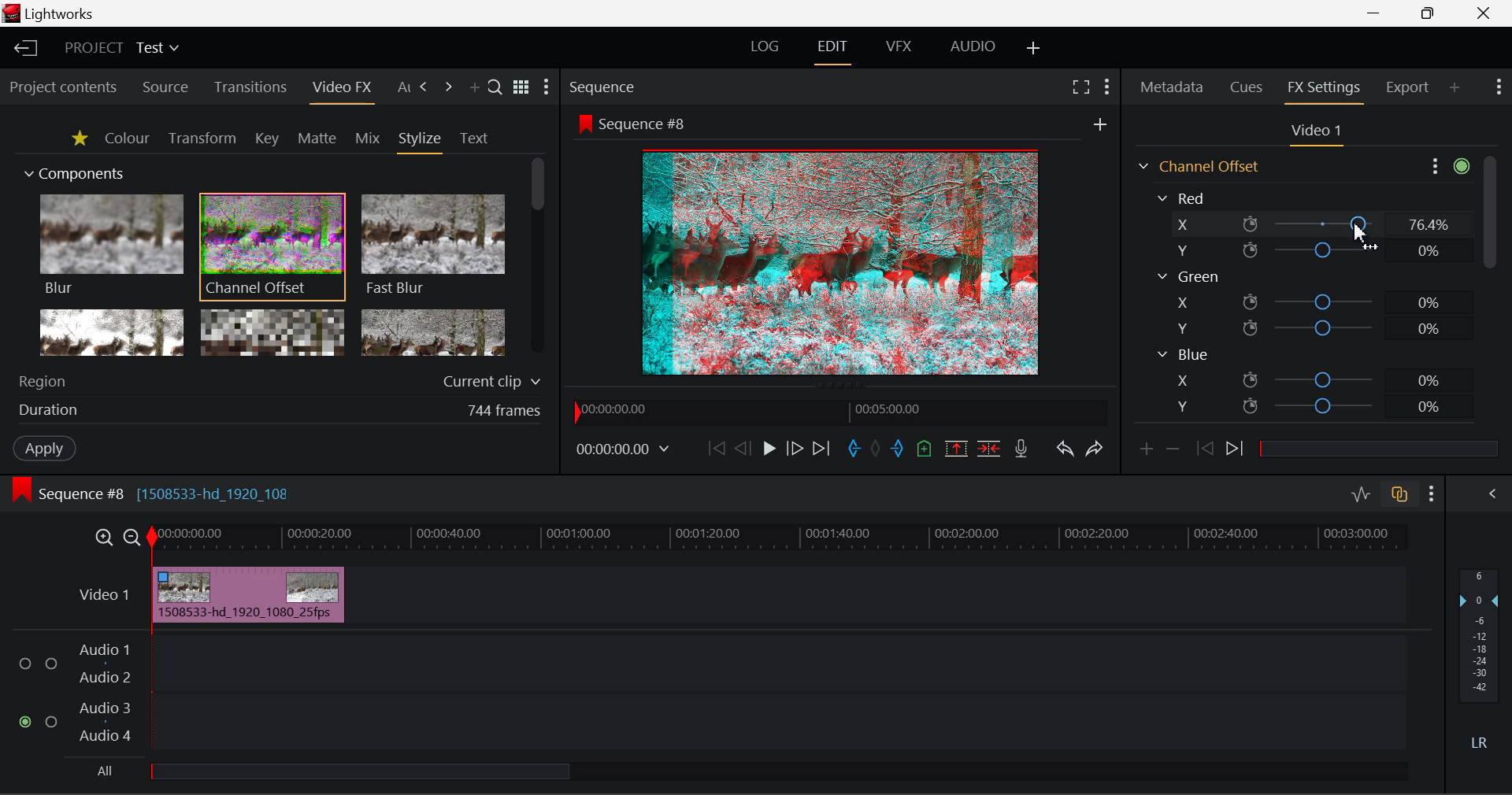 This screenshot has height=795, width=1512. What do you see at coordinates (1483, 14) in the screenshot?
I see `Close` at bounding box center [1483, 14].